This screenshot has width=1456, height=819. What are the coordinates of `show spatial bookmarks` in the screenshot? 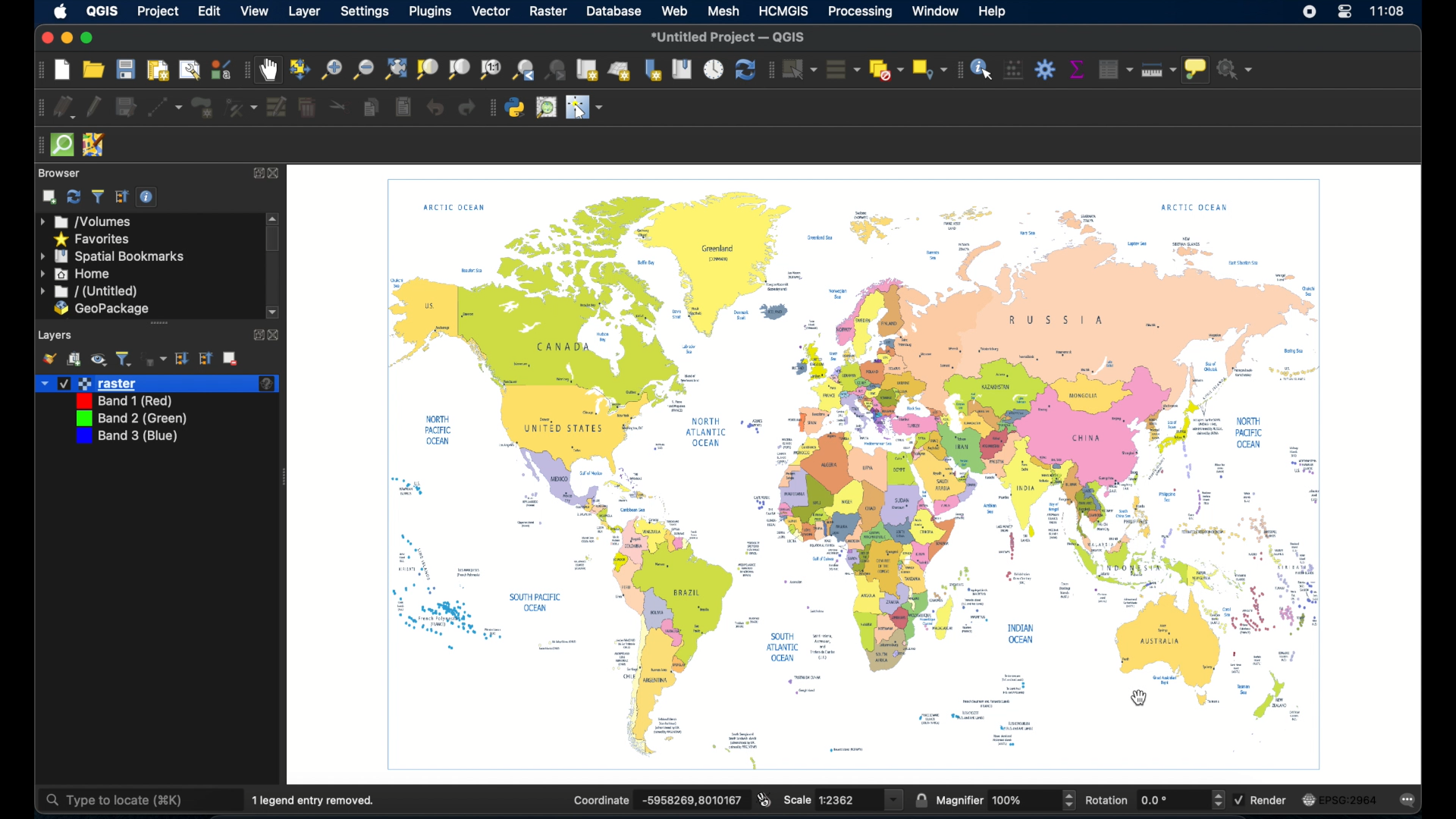 It's located at (681, 69).